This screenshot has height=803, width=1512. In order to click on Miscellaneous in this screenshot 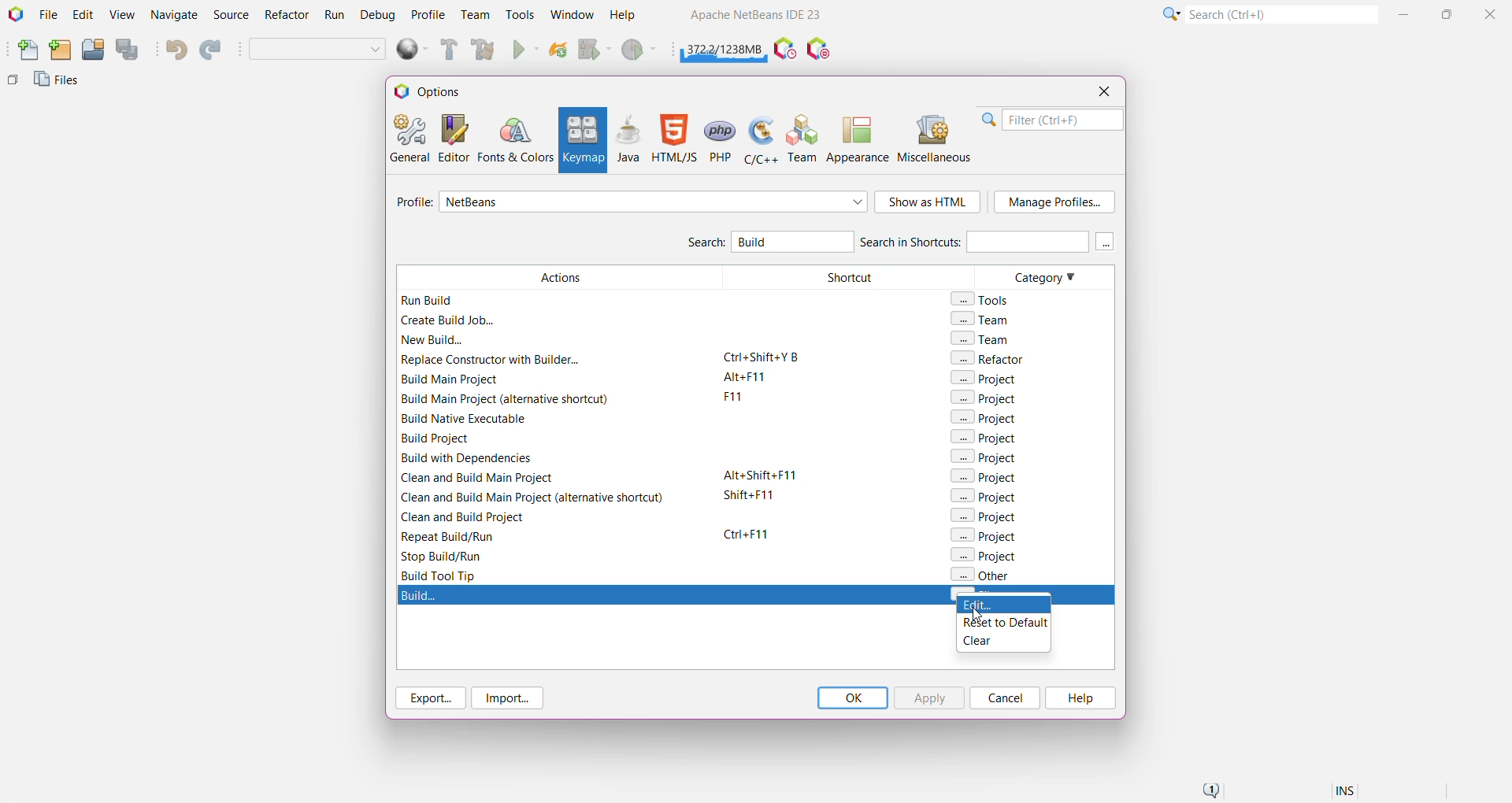, I will do `click(936, 139)`.